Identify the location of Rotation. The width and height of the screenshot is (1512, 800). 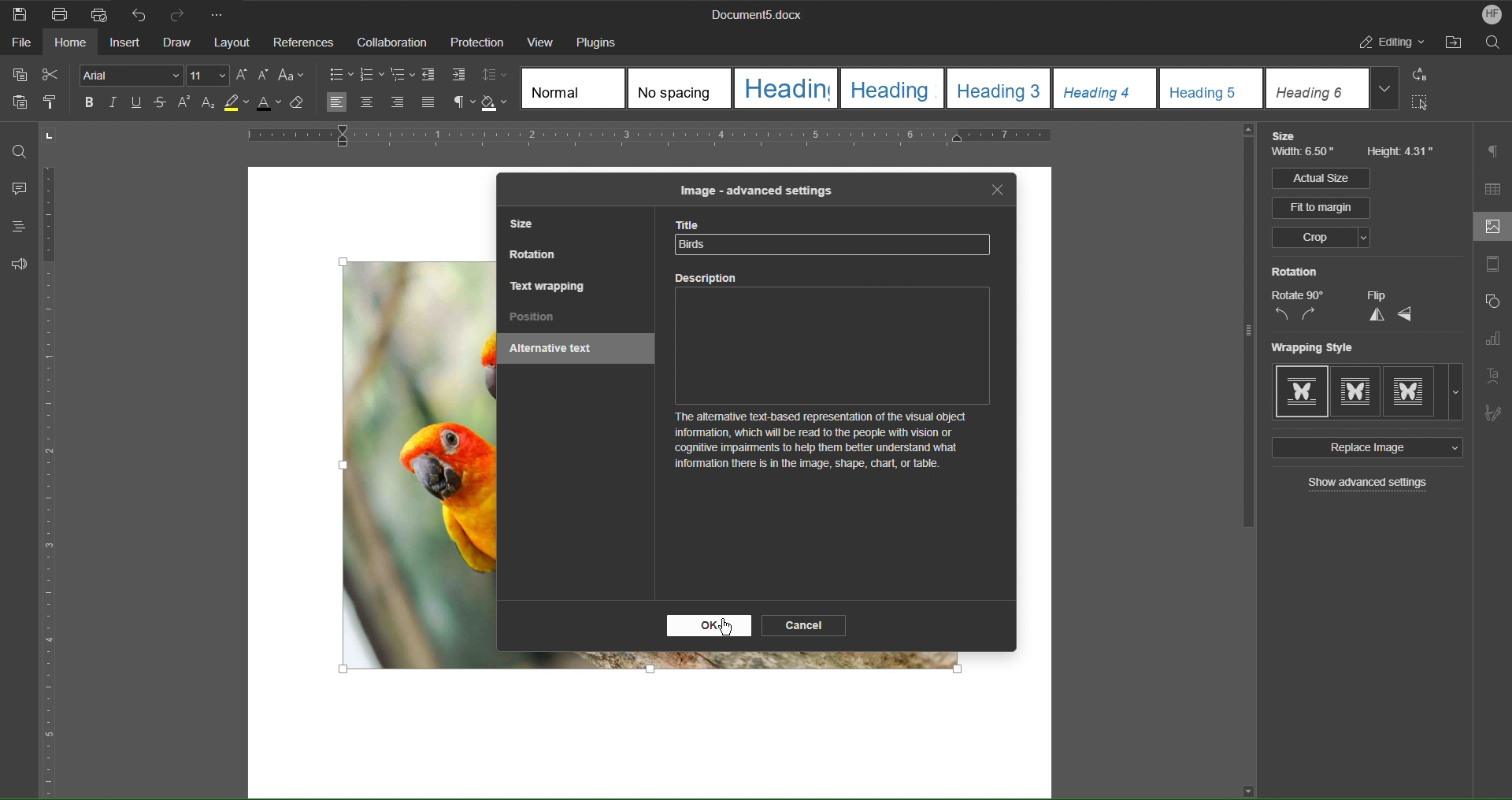
(1295, 272).